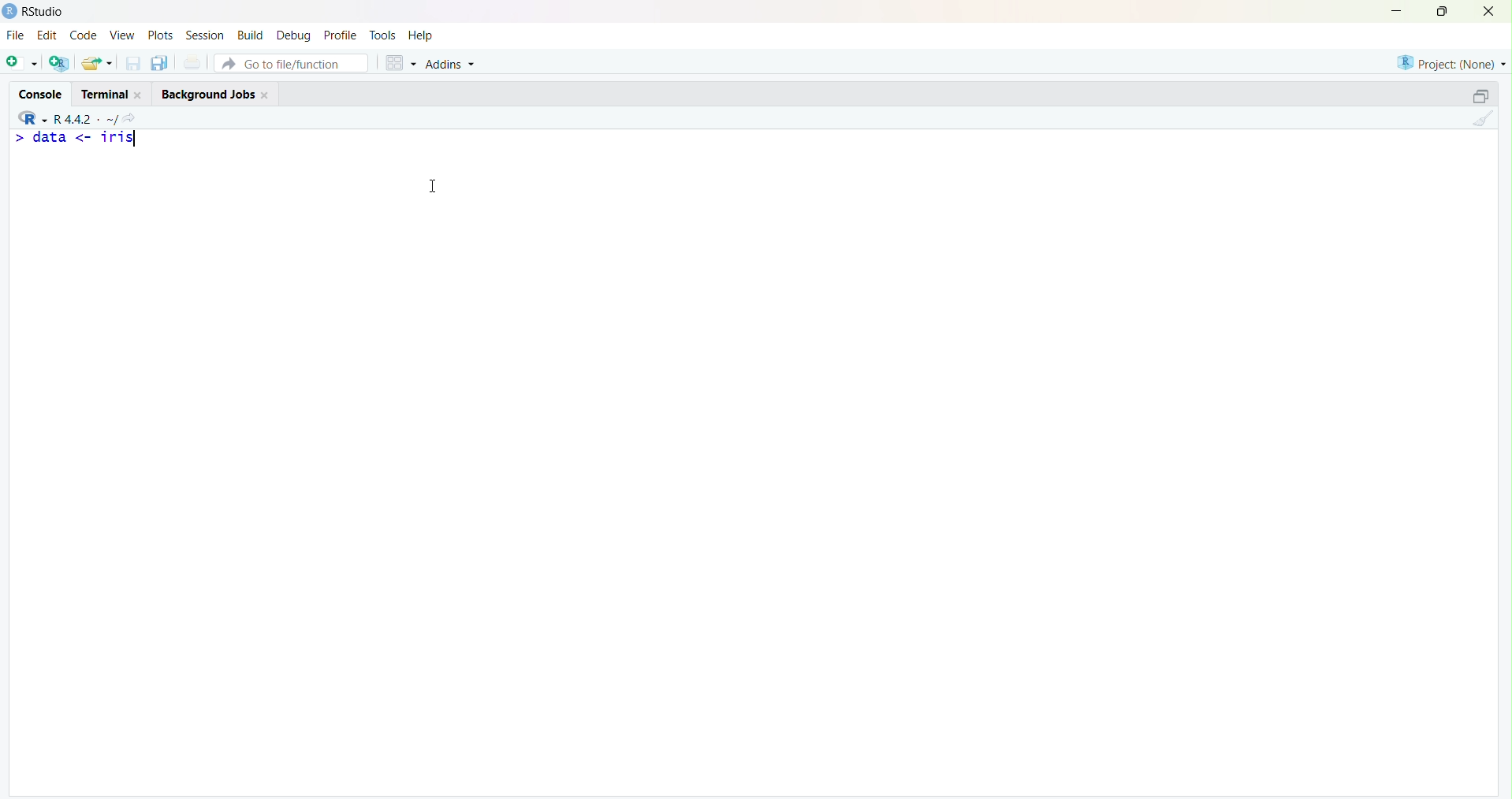  Describe the element at coordinates (340, 35) in the screenshot. I see `Profile` at that location.